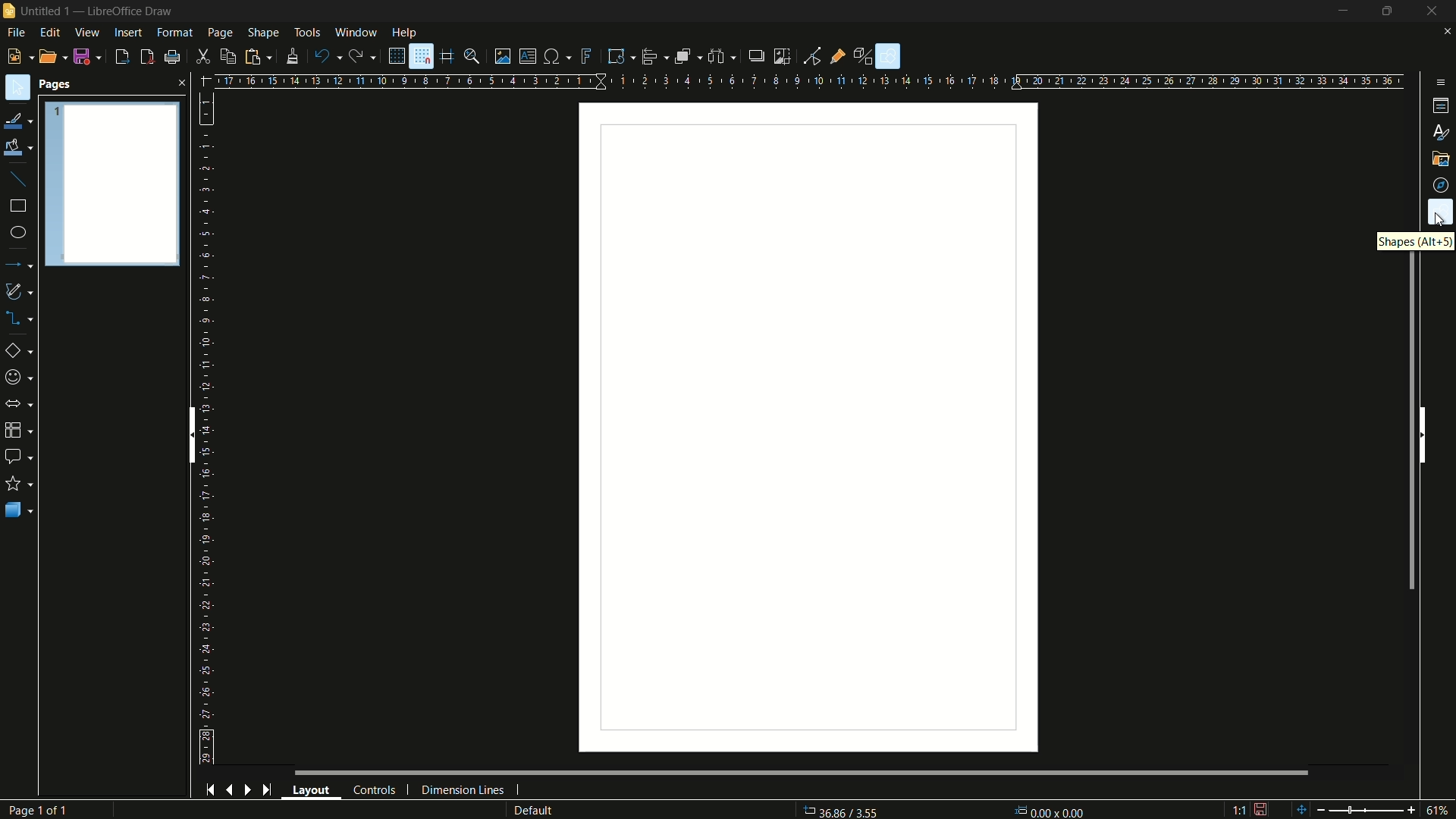 The width and height of the screenshot is (1456, 819). What do you see at coordinates (1439, 83) in the screenshot?
I see `sidebar settings` at bounding box center [1439, 83].